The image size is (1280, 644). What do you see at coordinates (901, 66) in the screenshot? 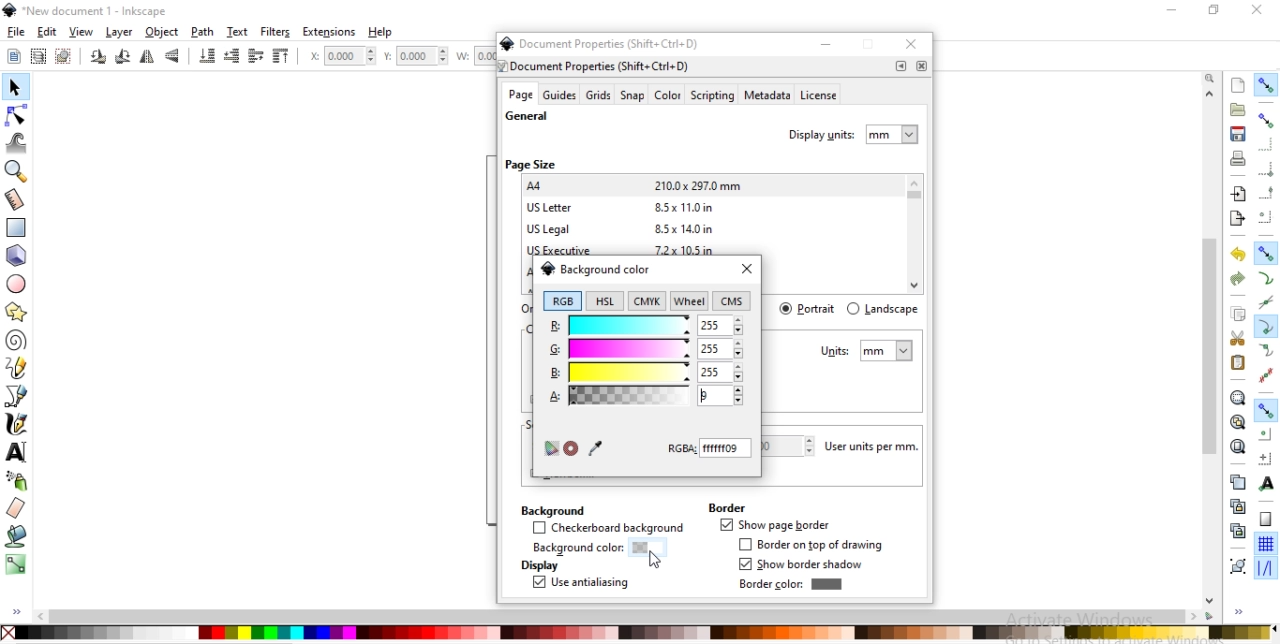
I see `.` at bounding box center [901, 66].